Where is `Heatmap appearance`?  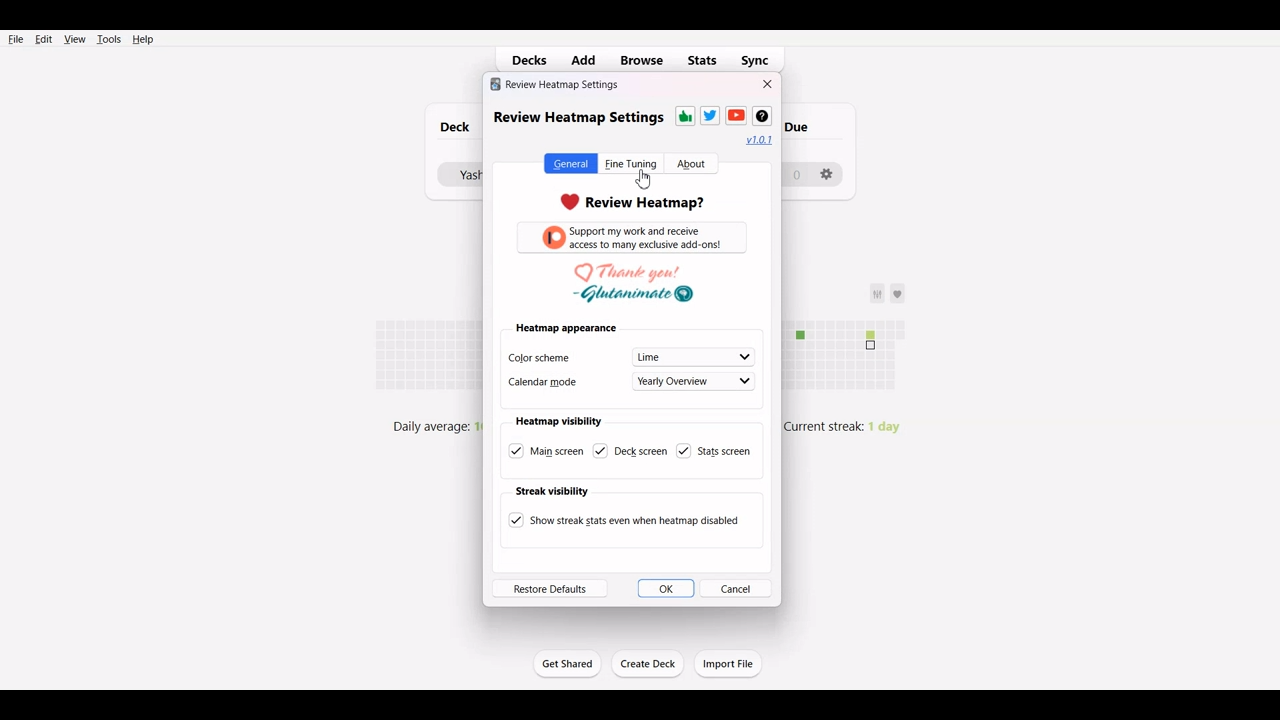
Heatmap appearance is located at coordinates (566, 328).